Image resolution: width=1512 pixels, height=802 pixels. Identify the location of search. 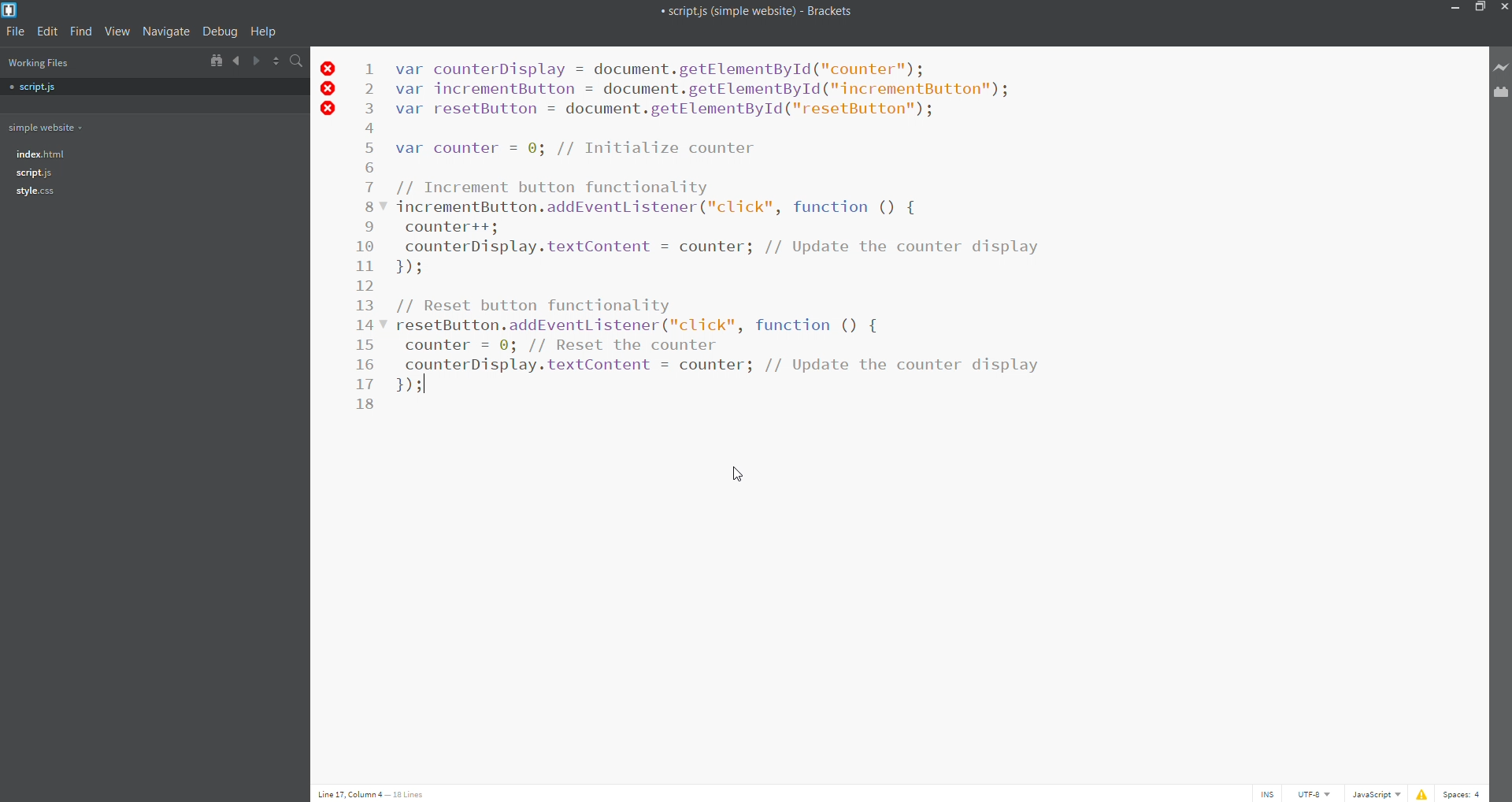
(300, 60).